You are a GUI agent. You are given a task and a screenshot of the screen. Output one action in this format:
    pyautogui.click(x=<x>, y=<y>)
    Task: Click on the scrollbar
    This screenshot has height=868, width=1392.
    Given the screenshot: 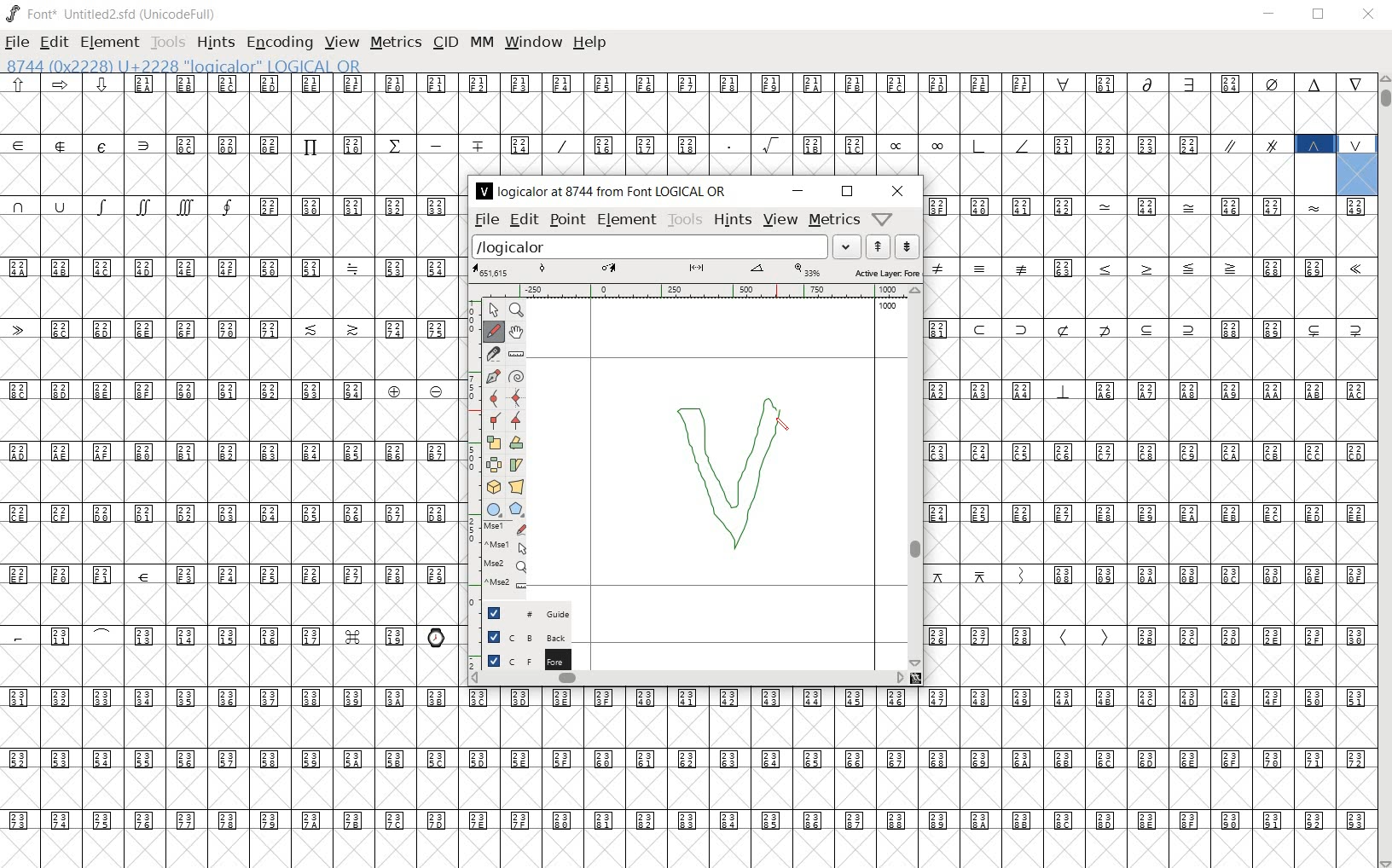 What is the action you would take?
    pyautogui.click(x=1383, y=471)
    